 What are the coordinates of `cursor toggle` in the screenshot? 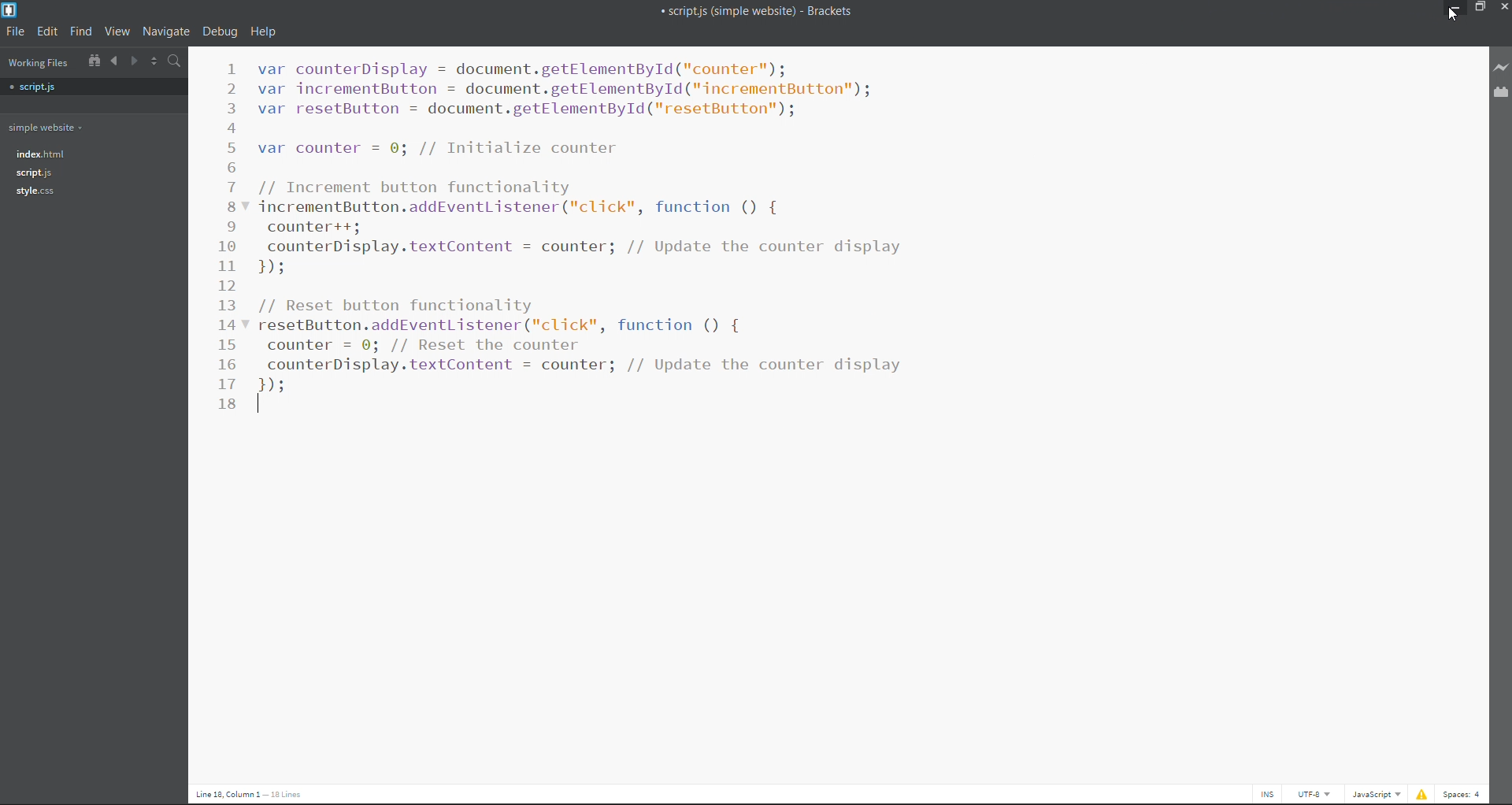 It's located at (1265, 793).